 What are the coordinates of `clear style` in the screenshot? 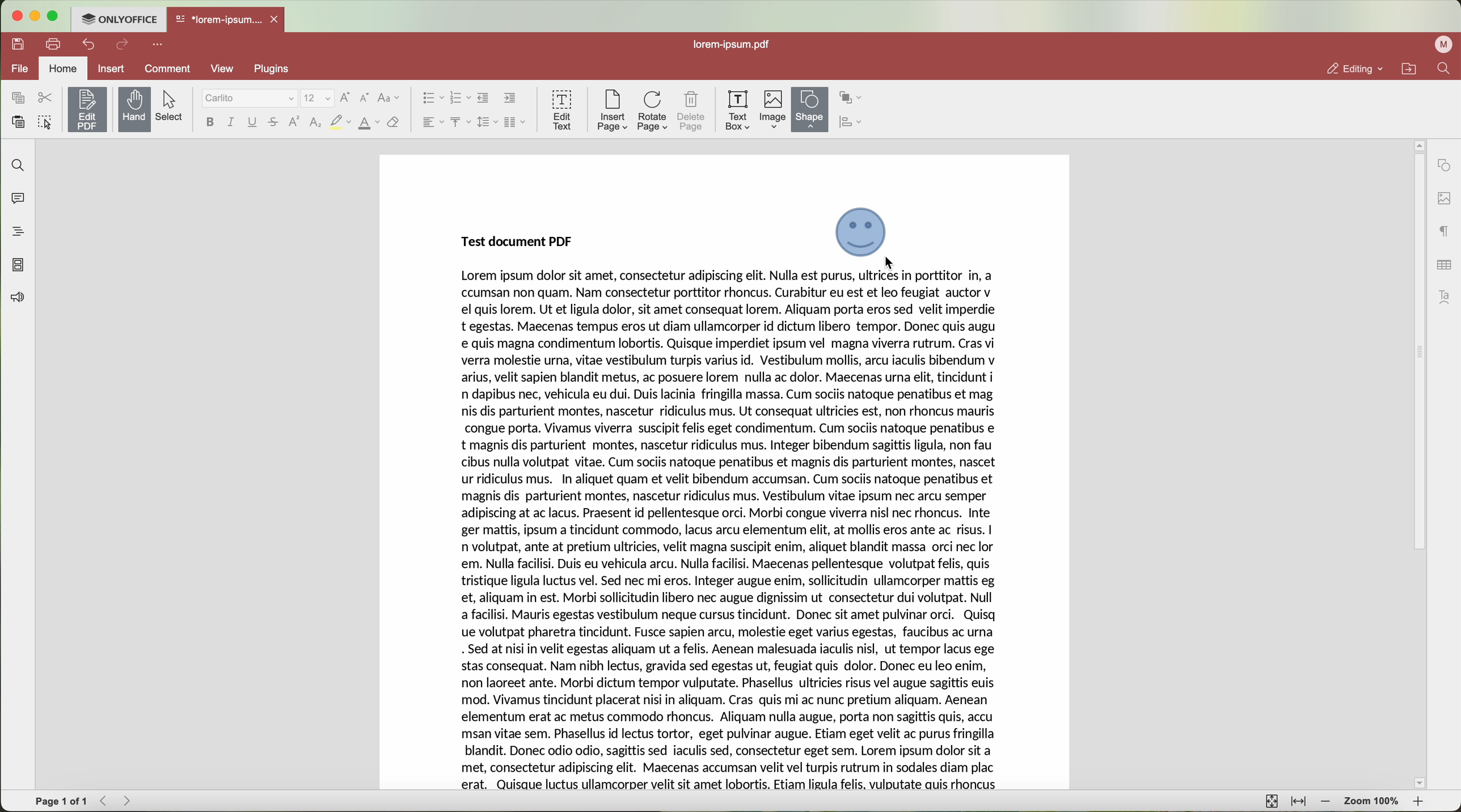 It's located at (392, 122).